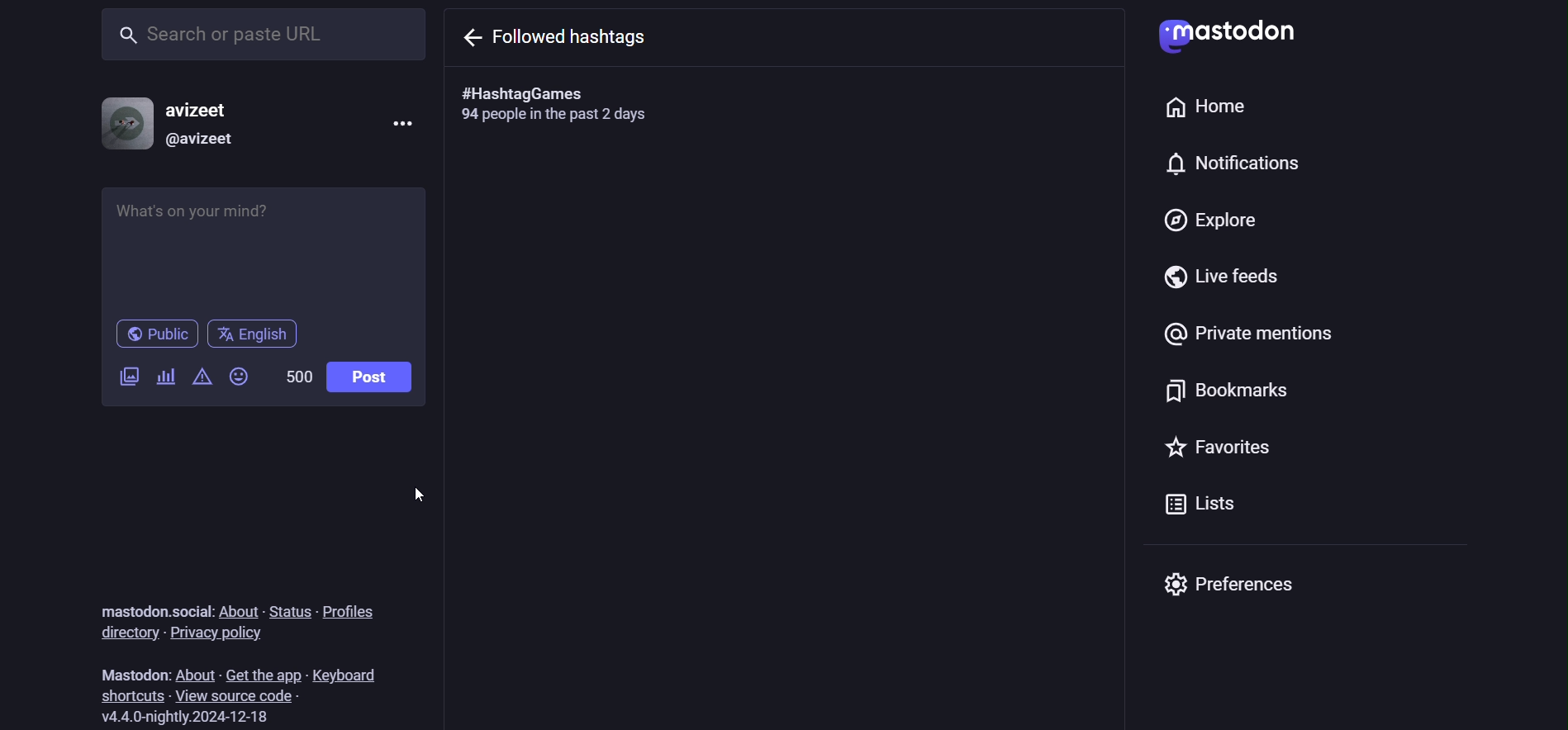 This screenshot has height=730, width=1568. What do you see at coordinates (128, 695) in the screenshot?
I see `shortcuts` at bounding box center [128, 695].